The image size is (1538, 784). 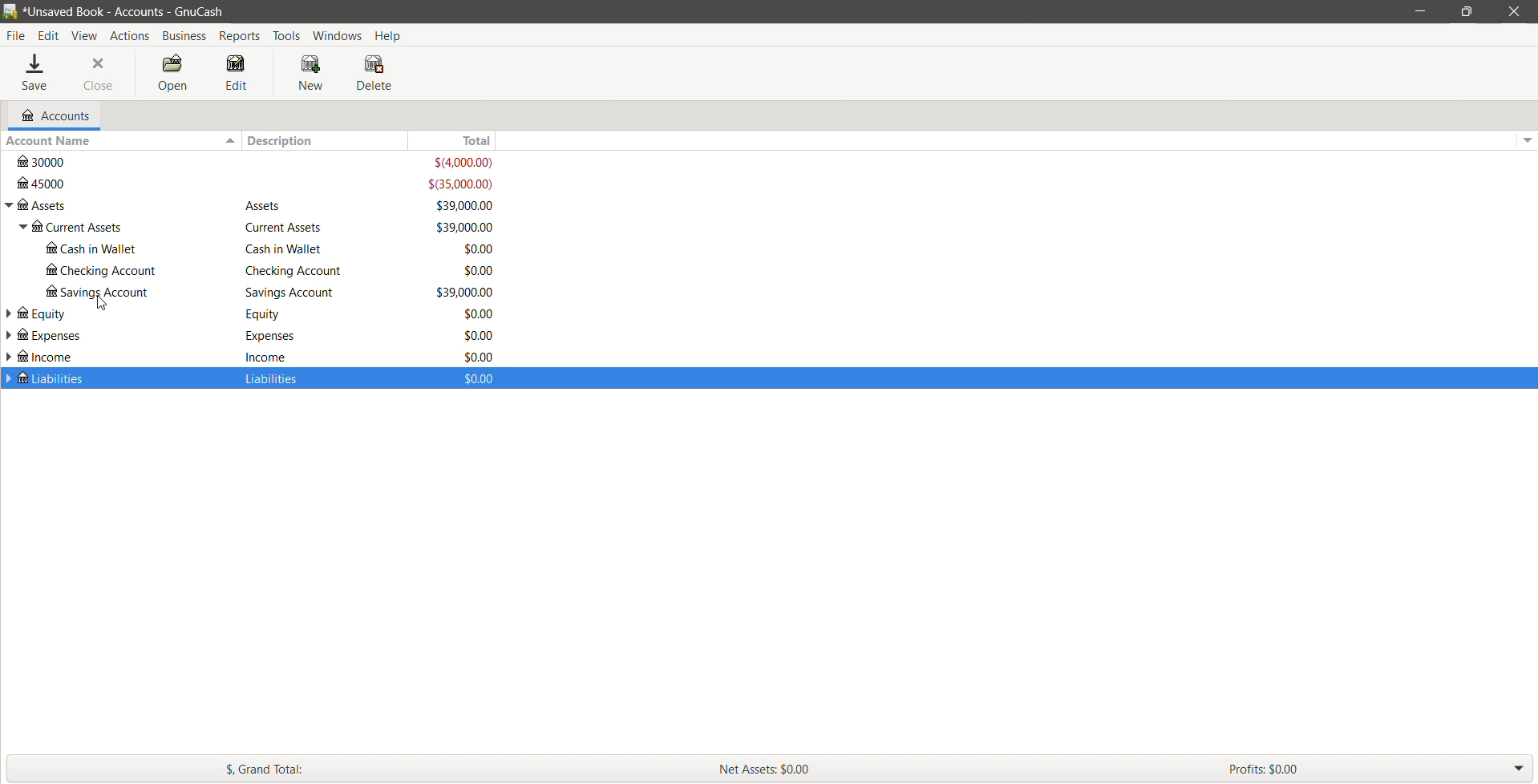 I want to click on $(35,000.00), so click(x=459, y=184).